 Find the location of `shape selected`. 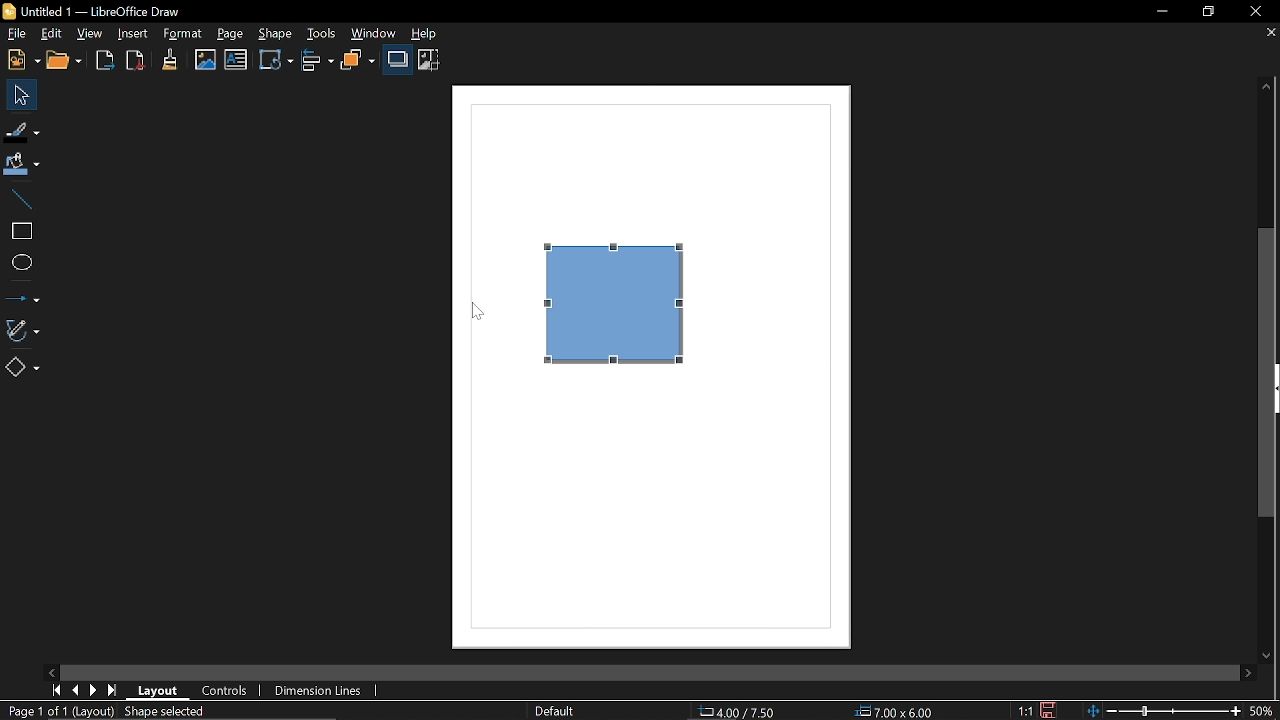

shape selected is located at coordinates (167, 713).